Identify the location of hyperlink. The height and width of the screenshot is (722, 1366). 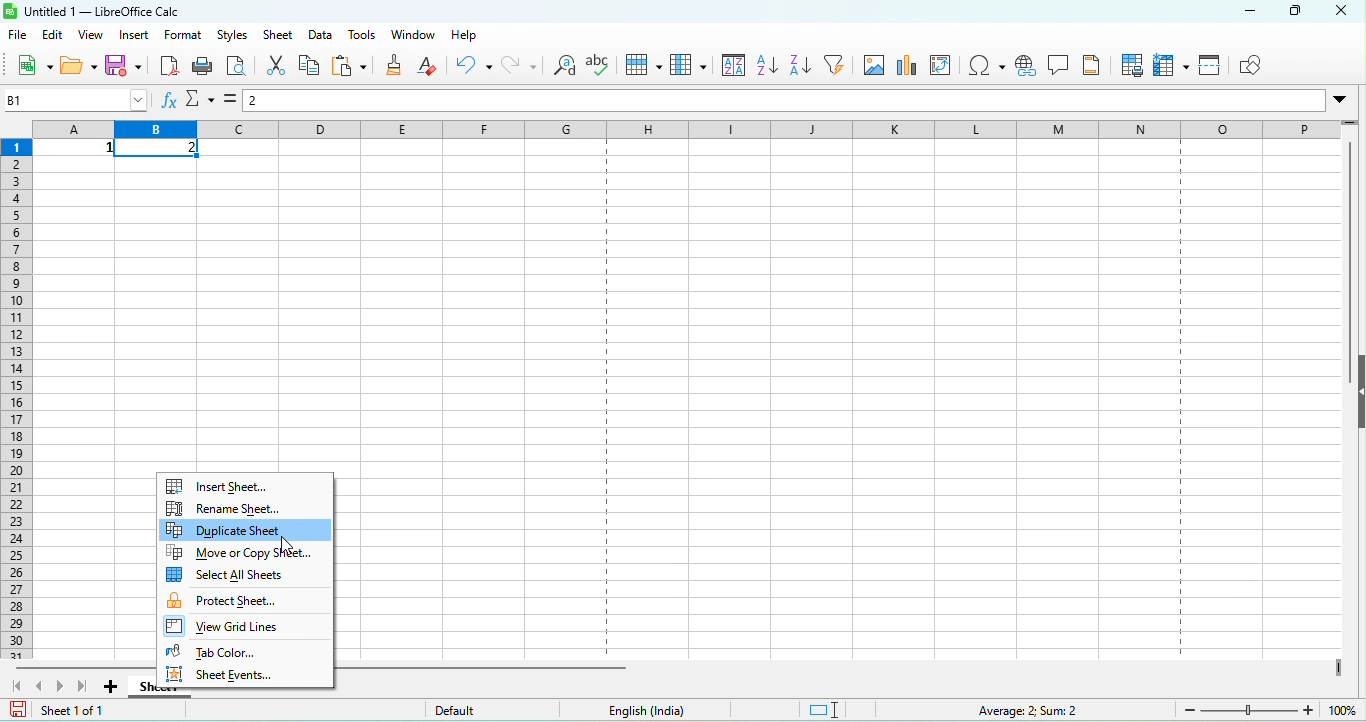
(1030, 68).